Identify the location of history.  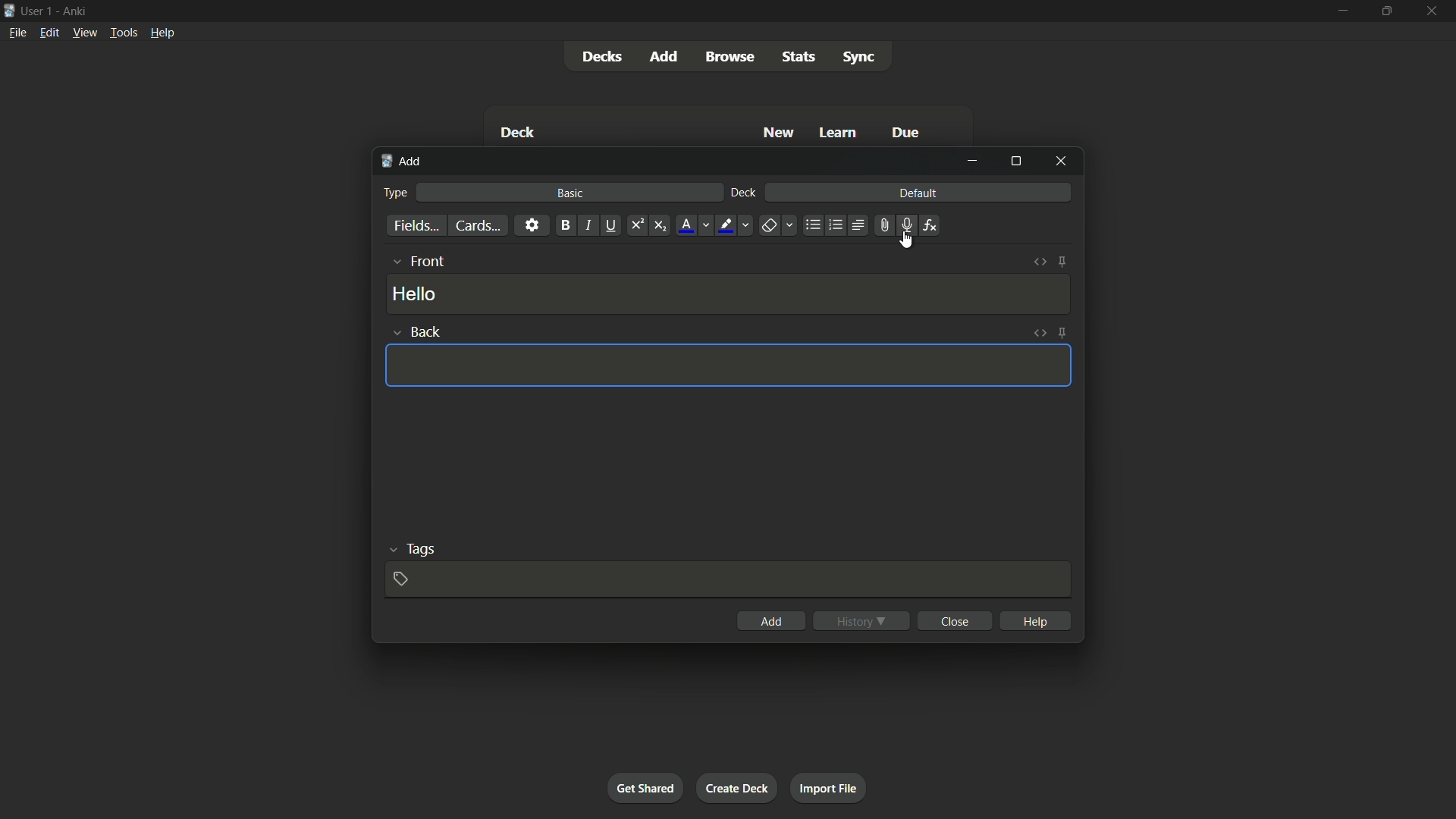
(863, 619).